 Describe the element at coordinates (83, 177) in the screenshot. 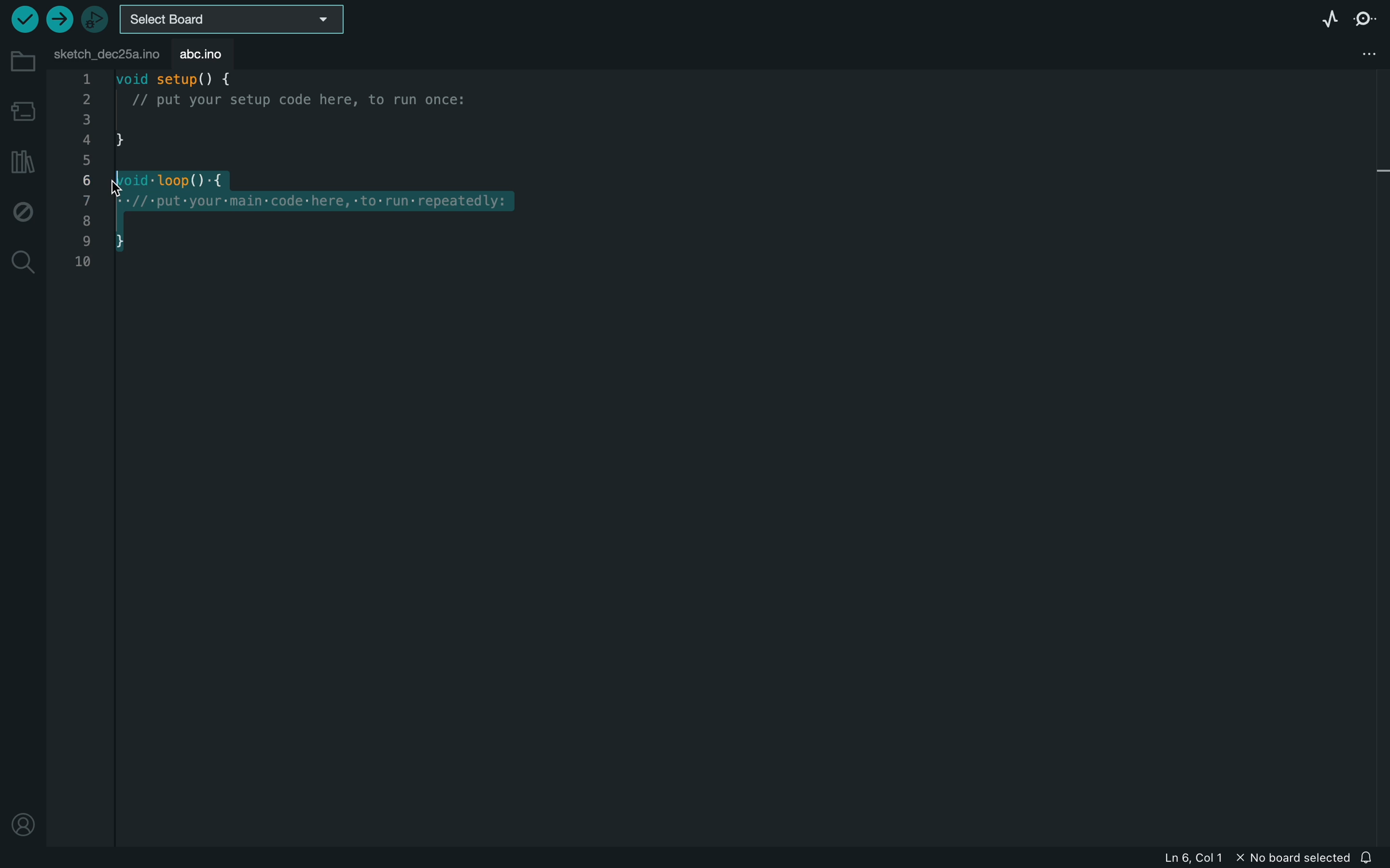

I see `1,2,3,4,5,6,7,8,9,10` at that location.